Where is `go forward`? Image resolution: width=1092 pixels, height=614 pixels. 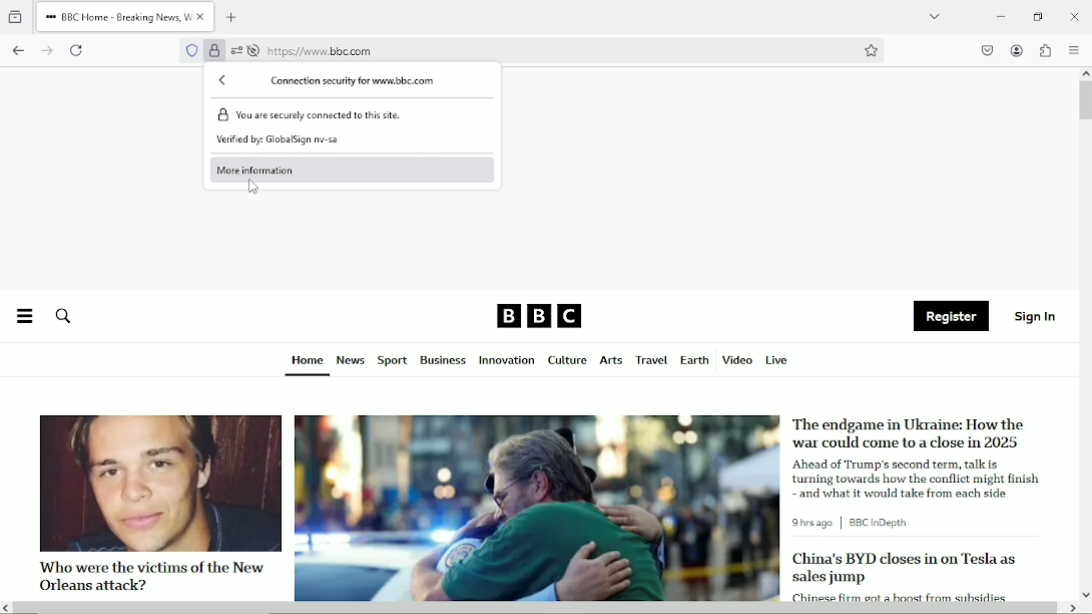 go forward is located at coordinates (46, 50).